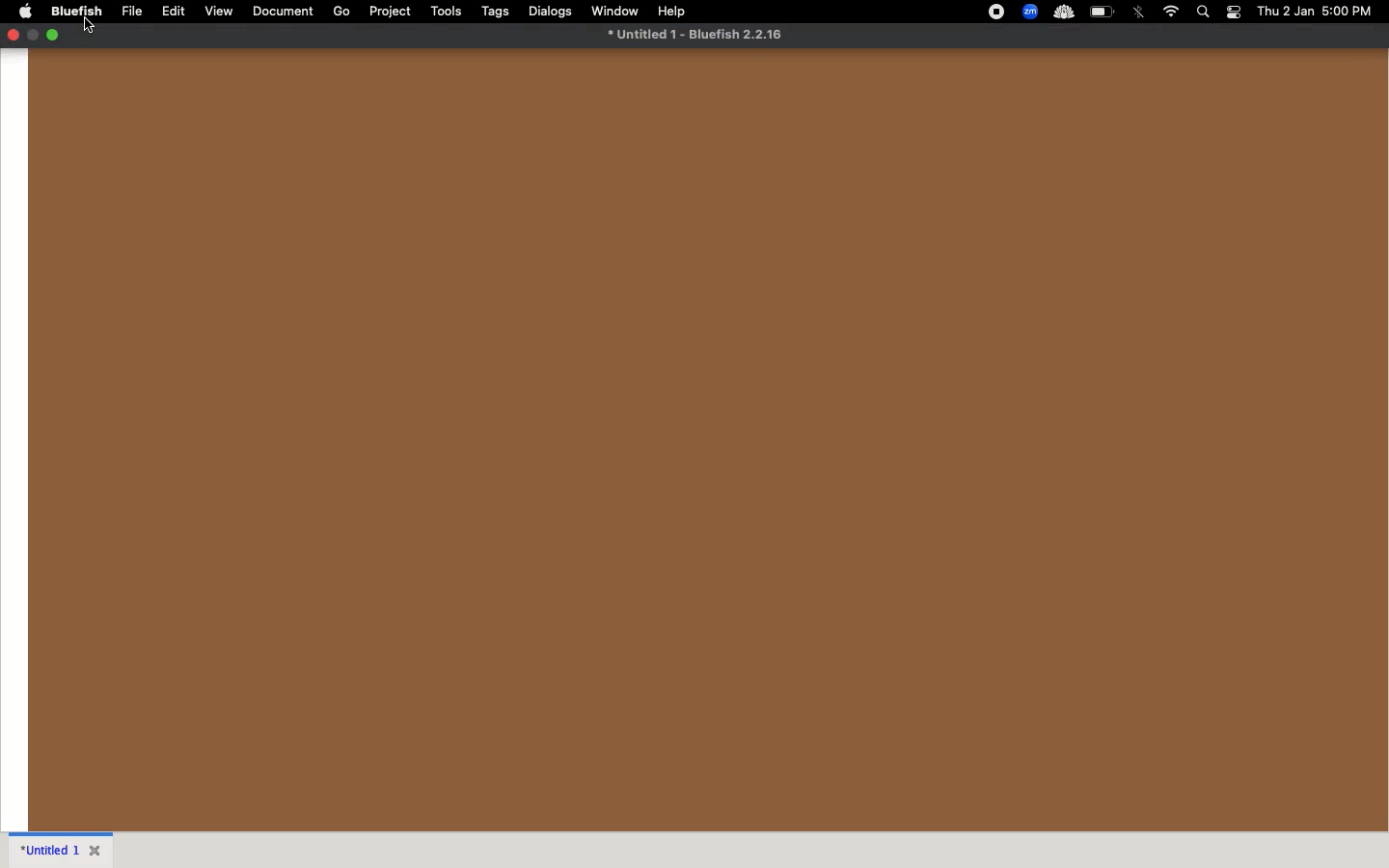  What do you see at coordinates (699, 33) in the screenshot?
I see `* Untitled 1 - Bluefish 2.2.16` at bounding box center [699, 33].